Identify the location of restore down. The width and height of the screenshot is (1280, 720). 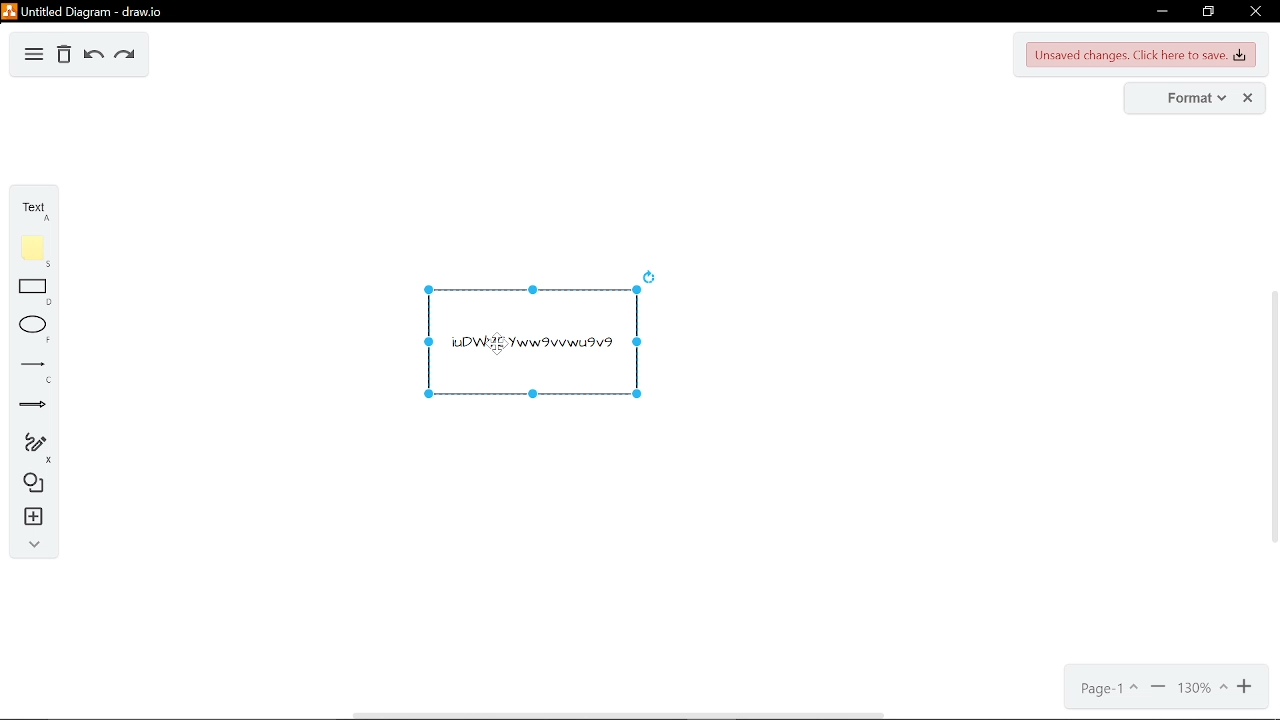
(1208, 13).